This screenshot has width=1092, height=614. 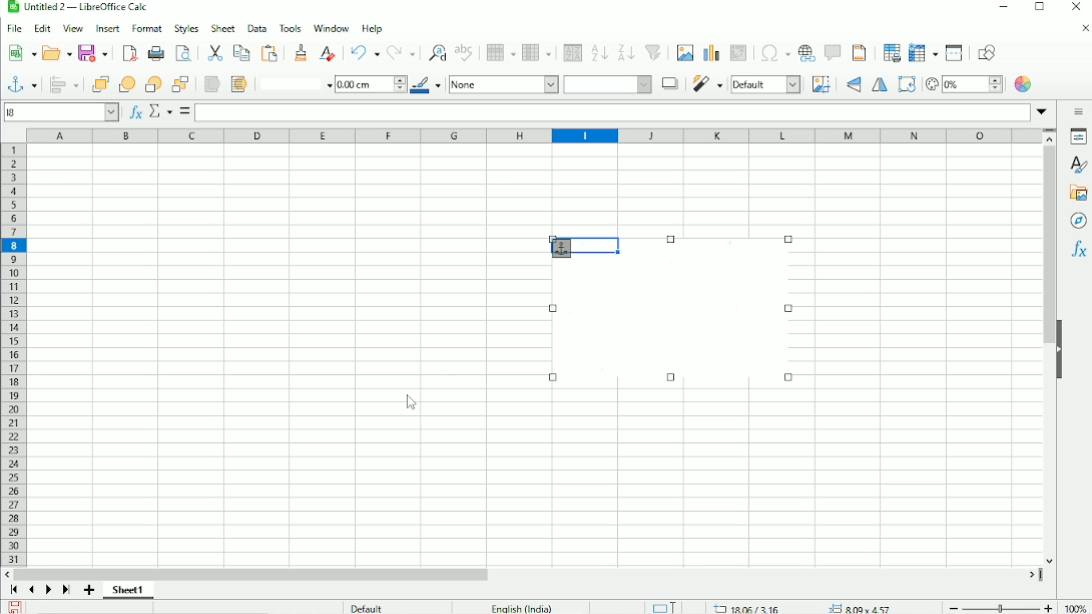 What do you see at coordinates (1001, 607) in the screenshot?
I see `Zoom out/in` at bounding box center [1001, 607].